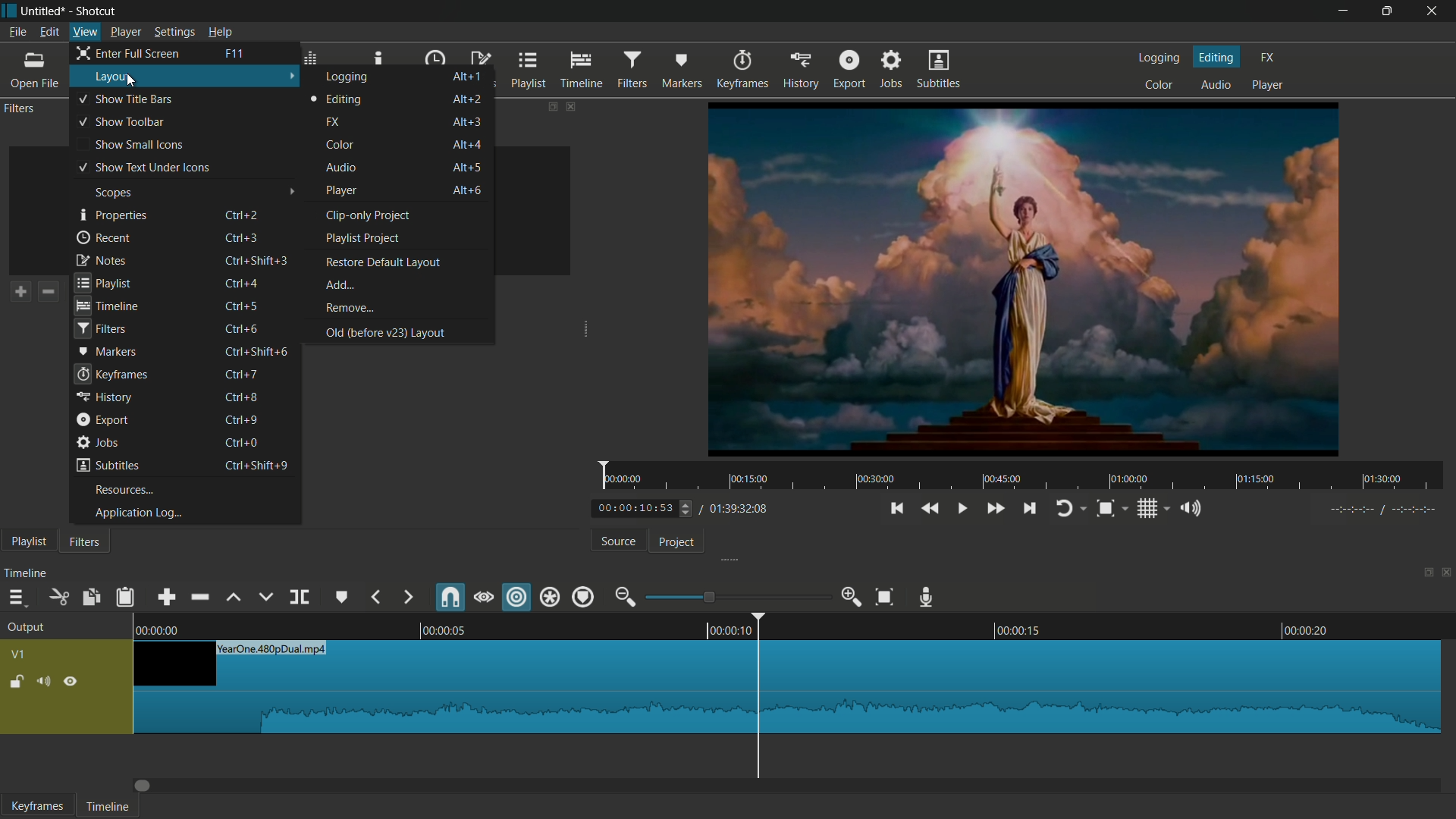 This screenshot has height=819, width=1456. Describe the element at coordinates (17, 292) in the screenshot. I see `add a filter` at that location.